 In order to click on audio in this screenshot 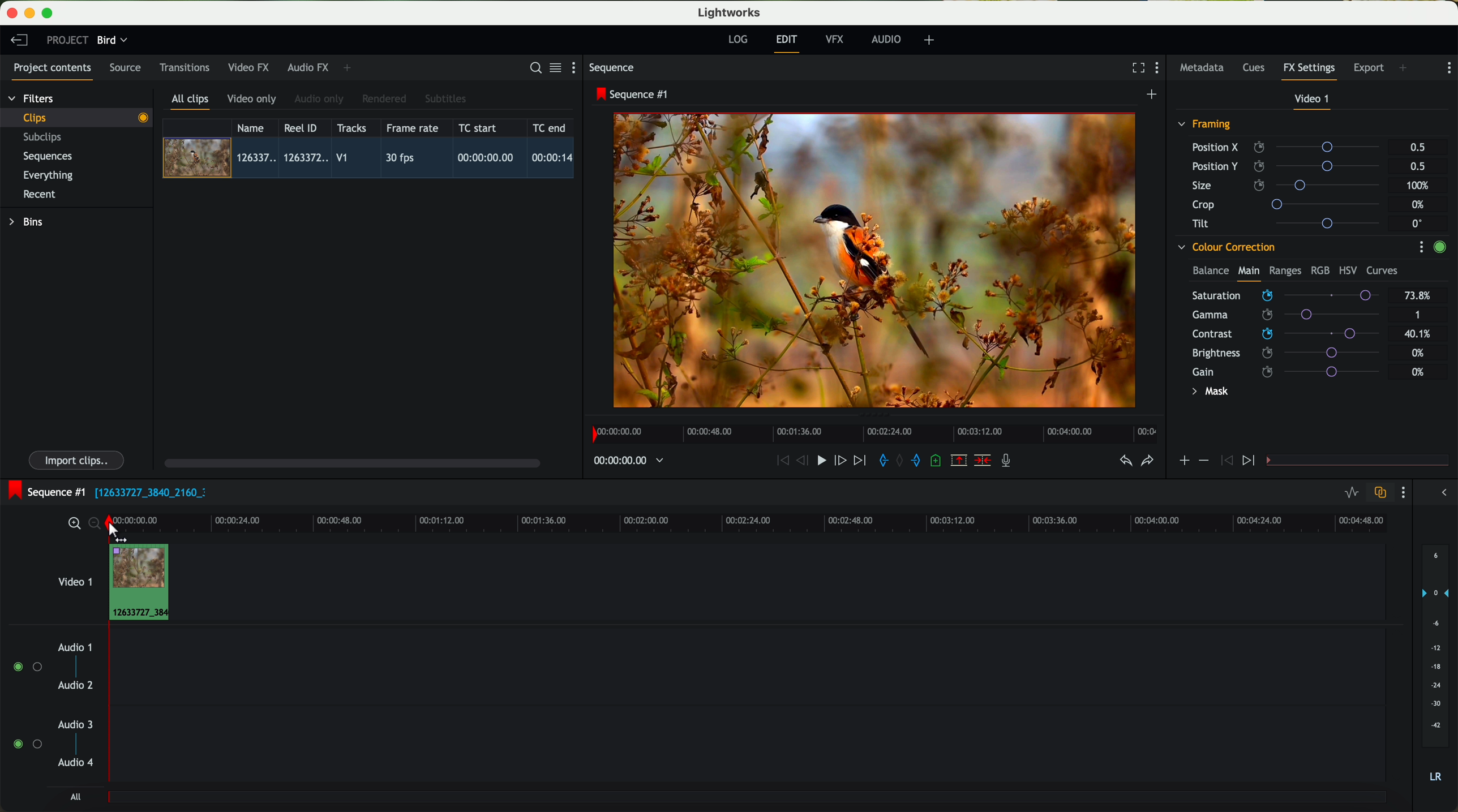, I will do `click(886, 39)`.